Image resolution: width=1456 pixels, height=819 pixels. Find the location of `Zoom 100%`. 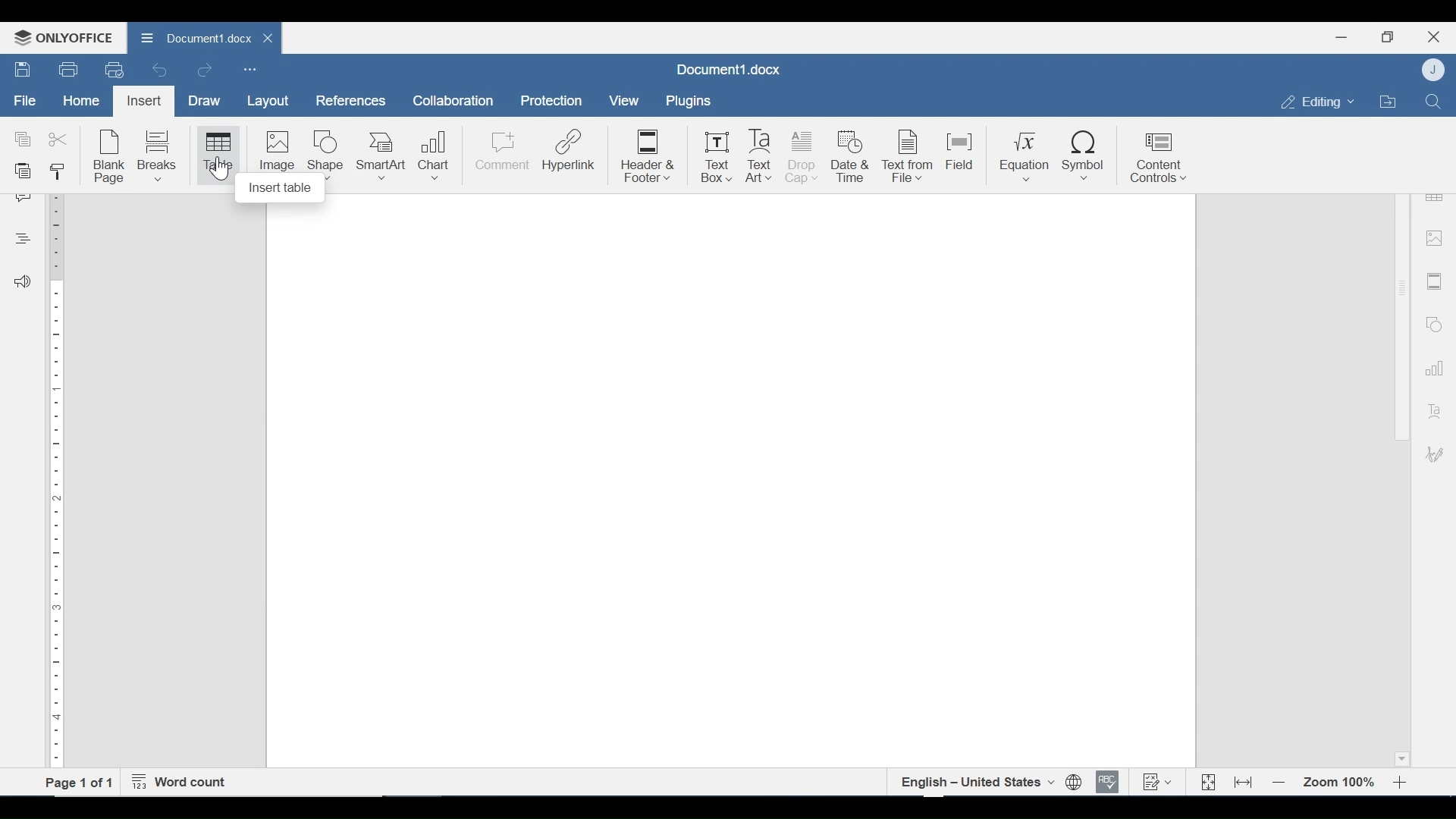

Zoom 100% is located at coordinates (1340, 783).